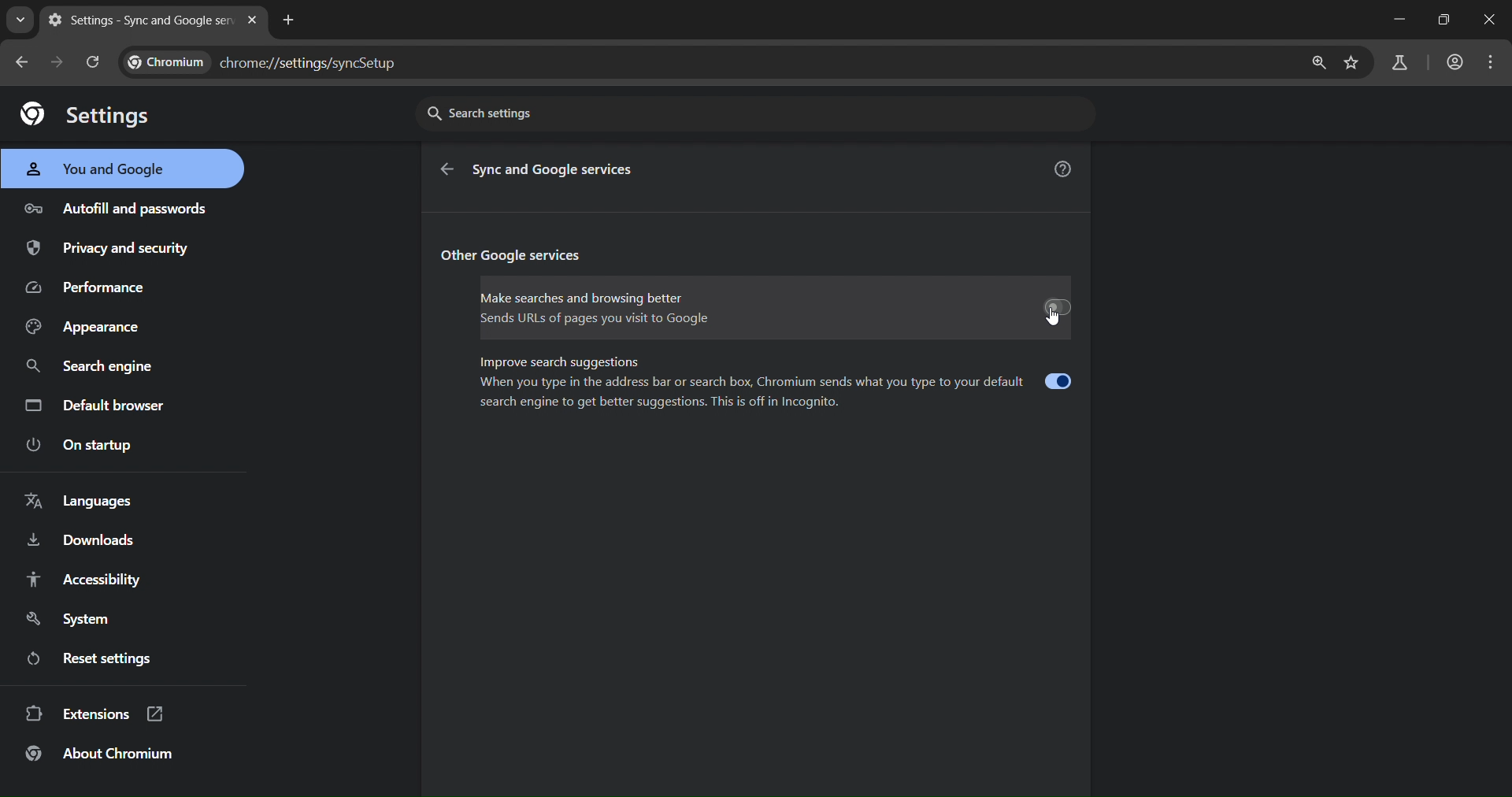  What do you see at coordinates (1493, 61) in the screenshot?
I see `menu` at bounding box center [1493, 61].